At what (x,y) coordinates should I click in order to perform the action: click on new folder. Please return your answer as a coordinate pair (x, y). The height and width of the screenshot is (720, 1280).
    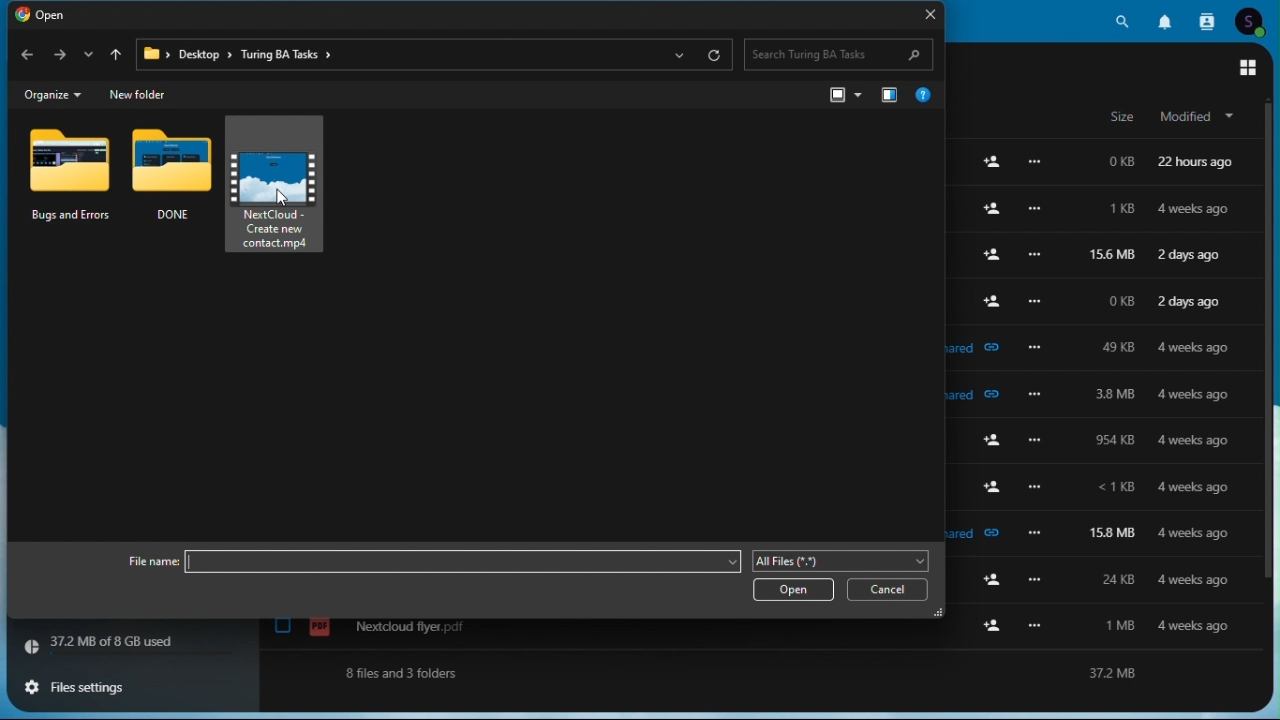
    Looking at the image, I should click on (142, 93).